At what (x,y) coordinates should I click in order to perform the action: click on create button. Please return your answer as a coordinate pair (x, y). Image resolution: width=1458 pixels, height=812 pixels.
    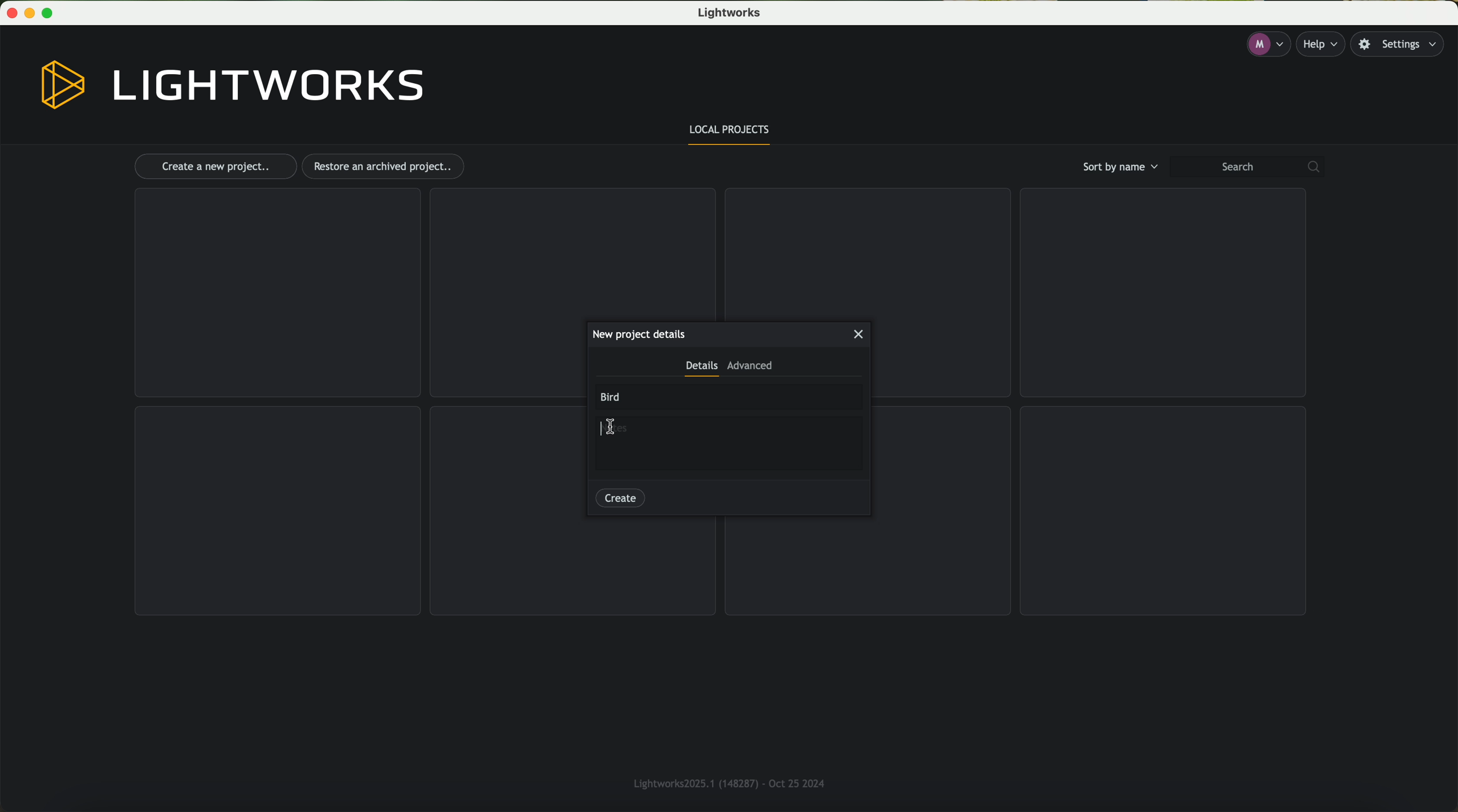
    Looking at the image, I should click on (620, 496).